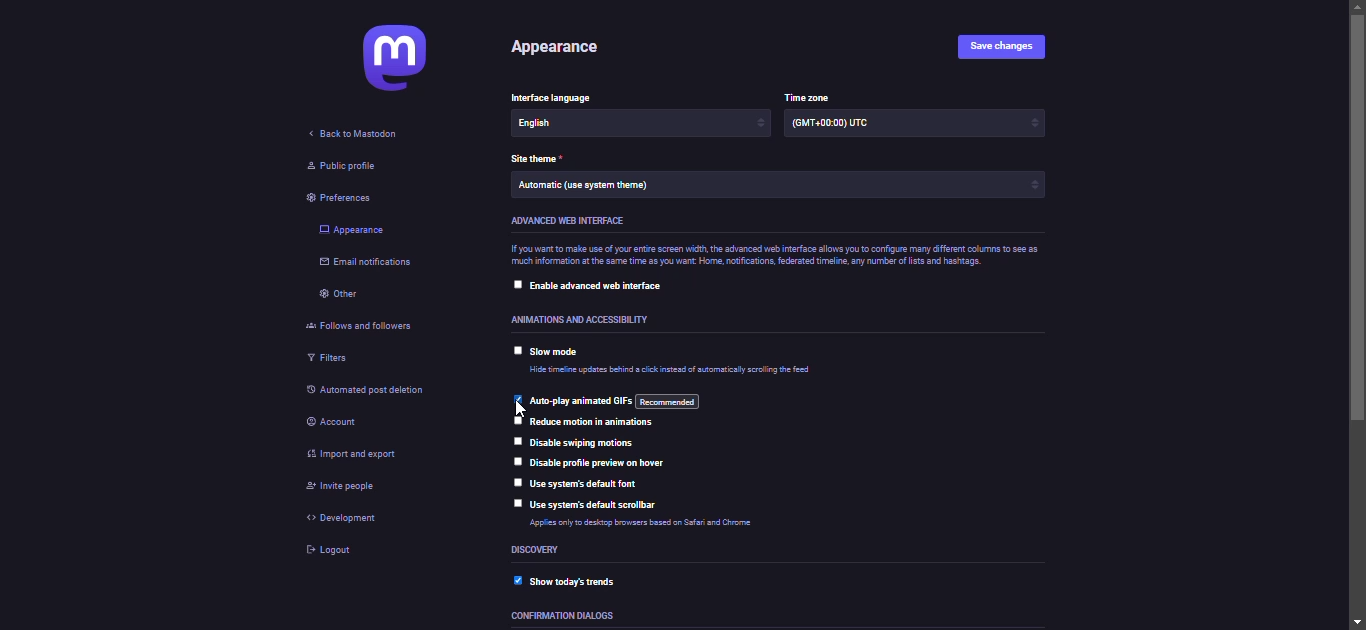  What do you see at coordinates (345, 487) in the screenshot?
I see `invite people` at bounding box center [345, 487].